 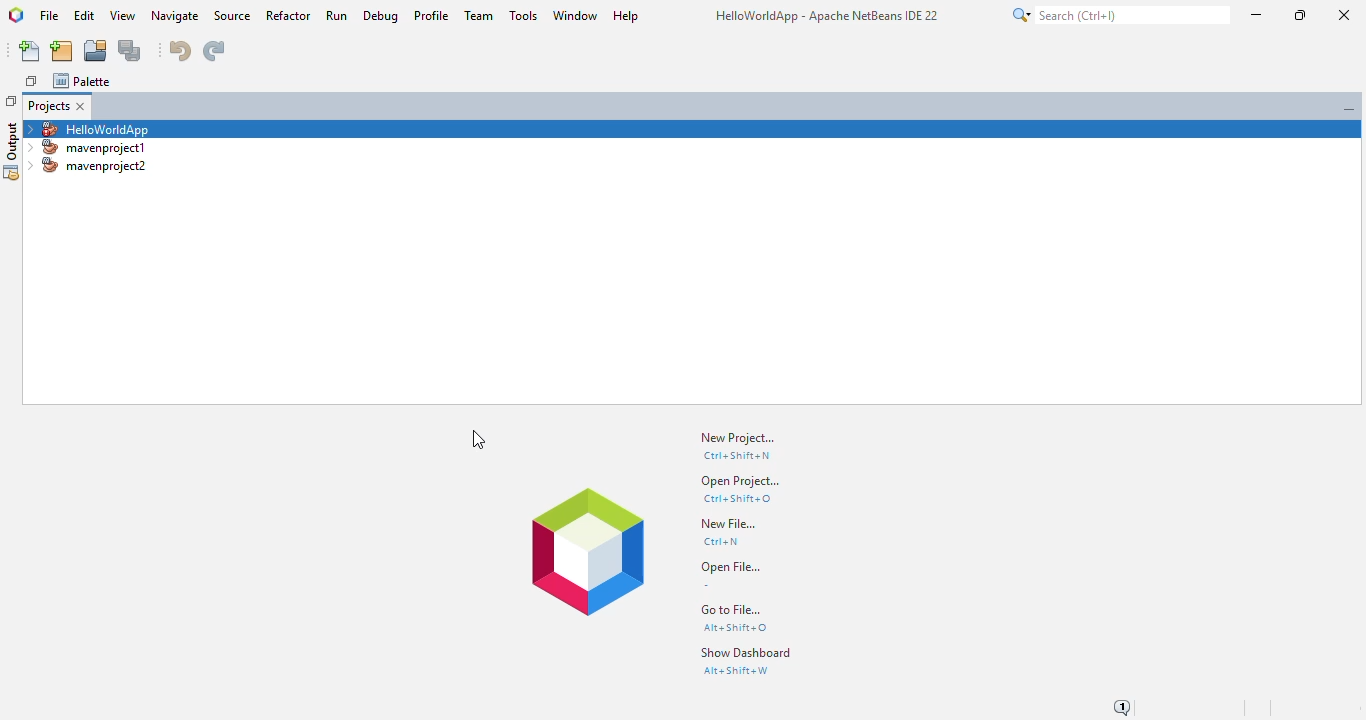 What do you see at coordinates (131, 51) in the screenshot?
I see `save all` at bounding box center [131, 51].